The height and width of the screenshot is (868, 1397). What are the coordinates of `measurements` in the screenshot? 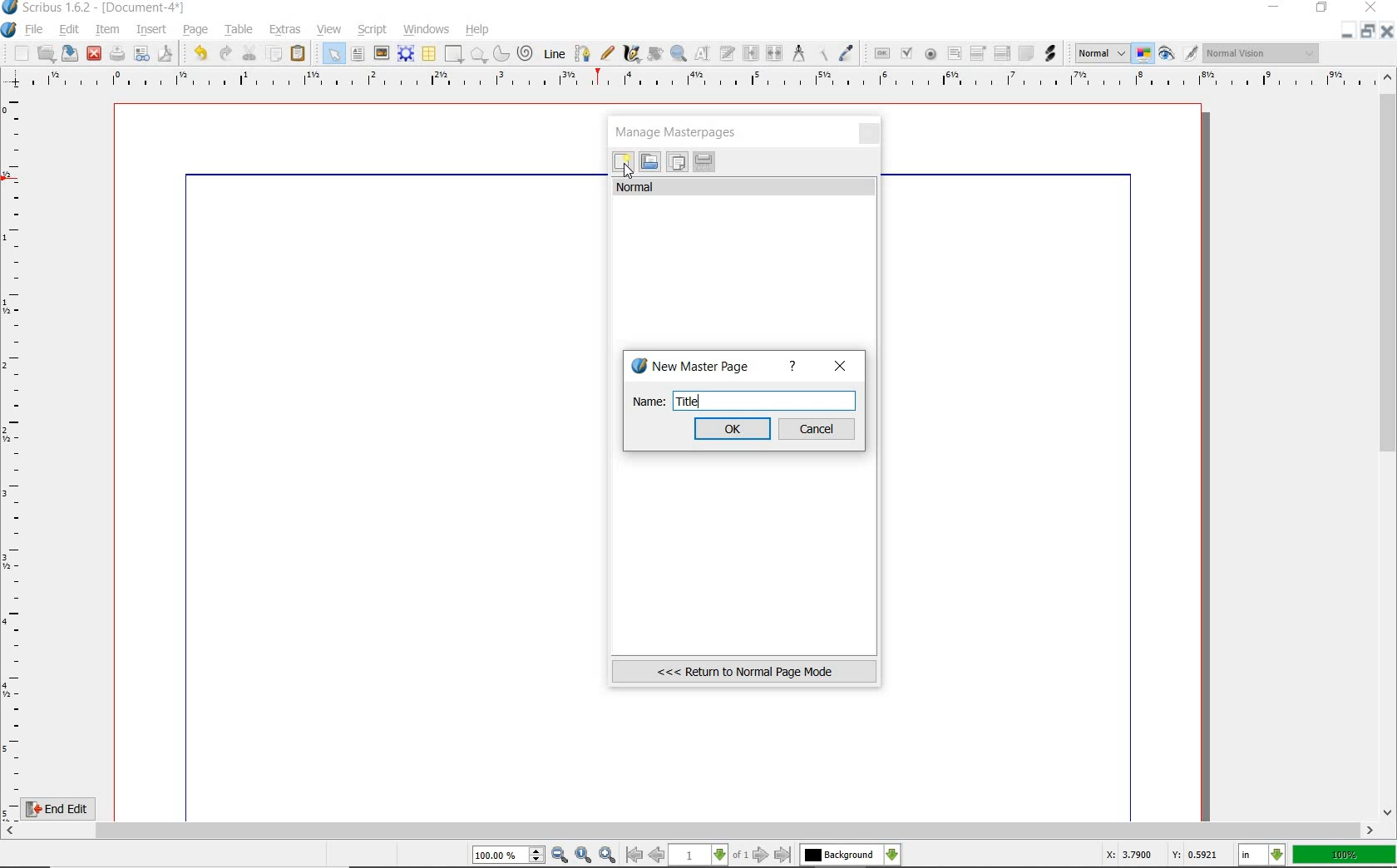 It's located at (799, 54).